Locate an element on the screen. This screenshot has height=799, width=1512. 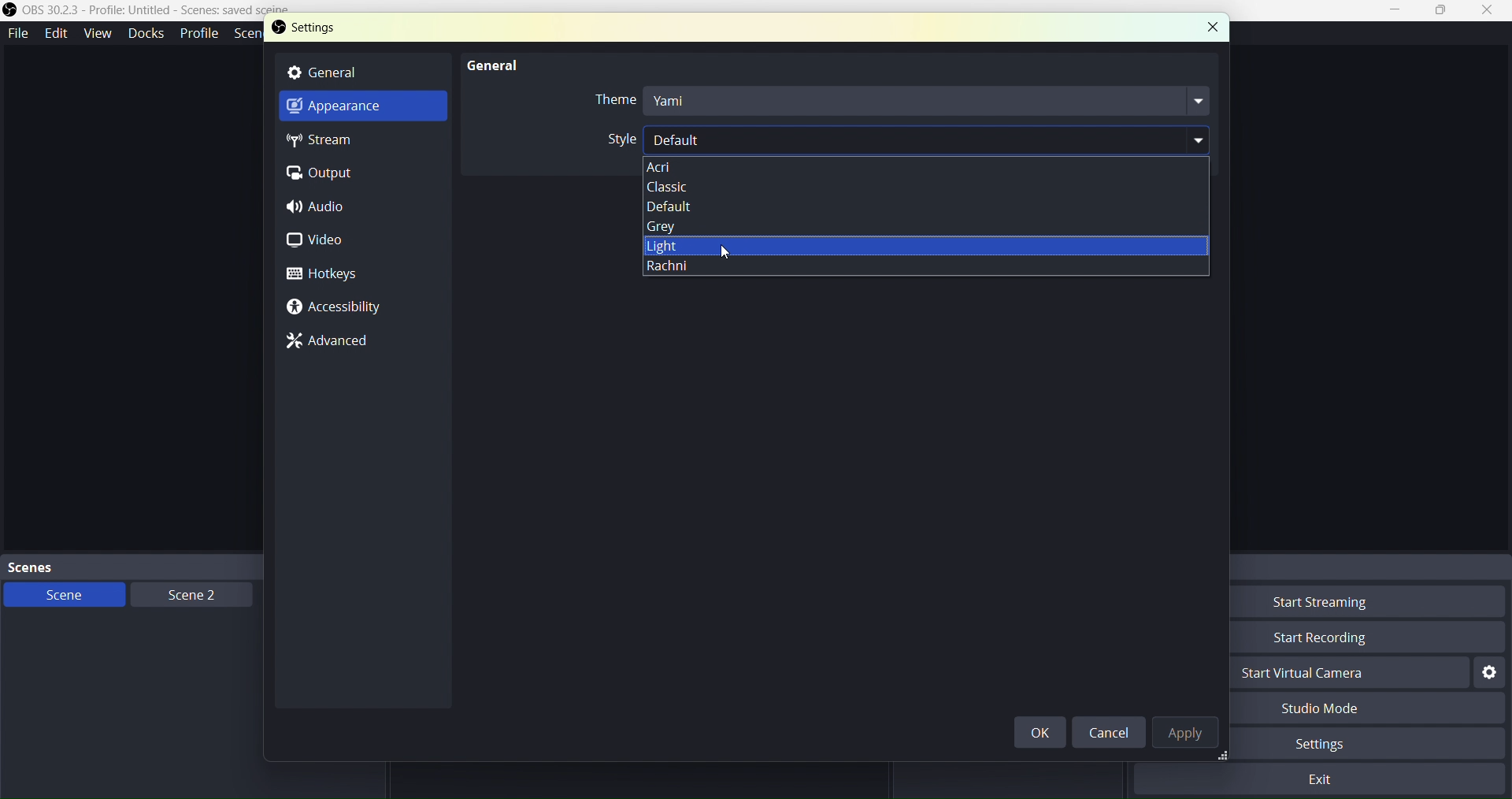
Cancel is located at coordinates (1108, 733).